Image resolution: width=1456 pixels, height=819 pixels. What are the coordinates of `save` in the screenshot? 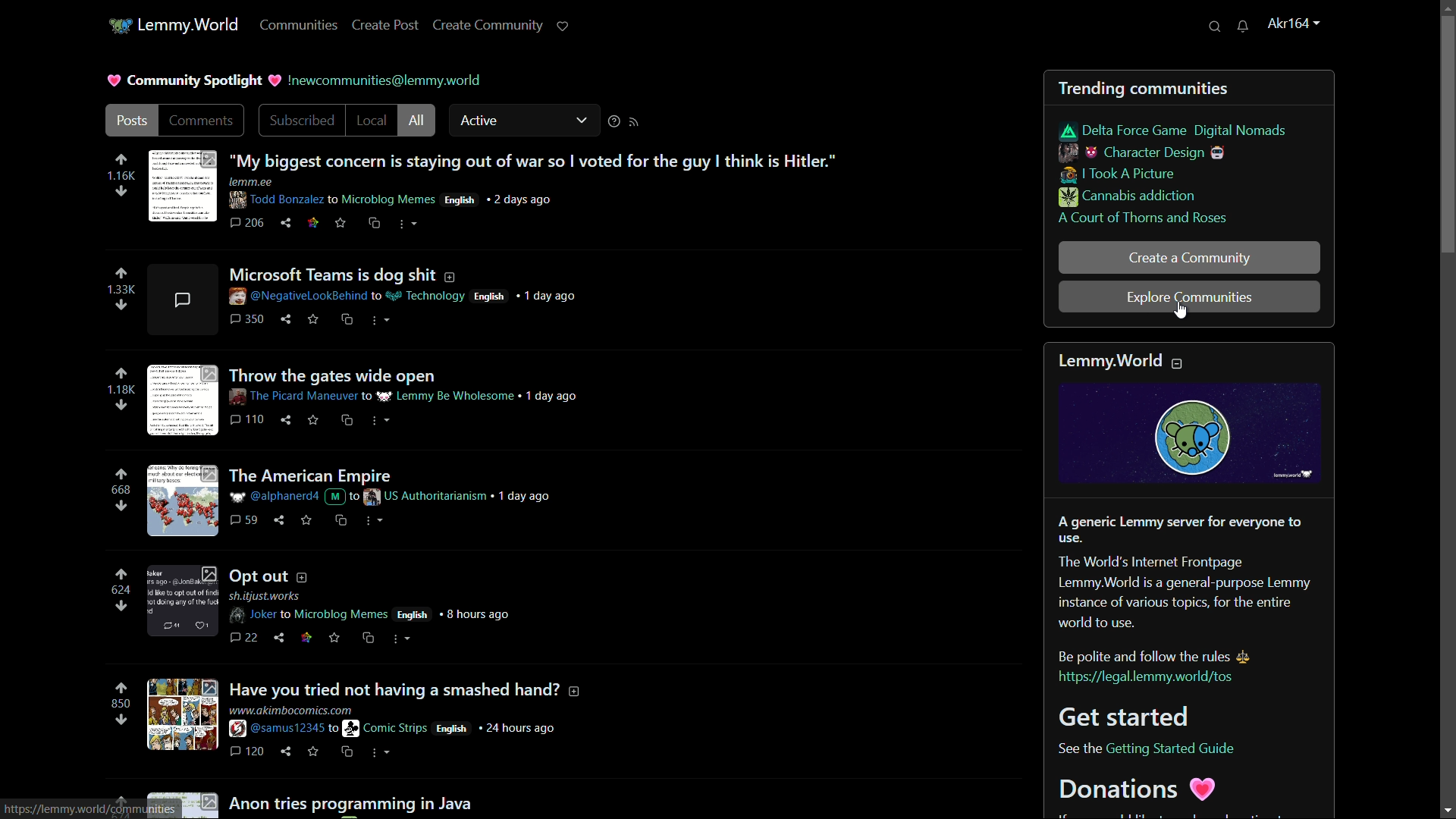 It's located at (314, 752).